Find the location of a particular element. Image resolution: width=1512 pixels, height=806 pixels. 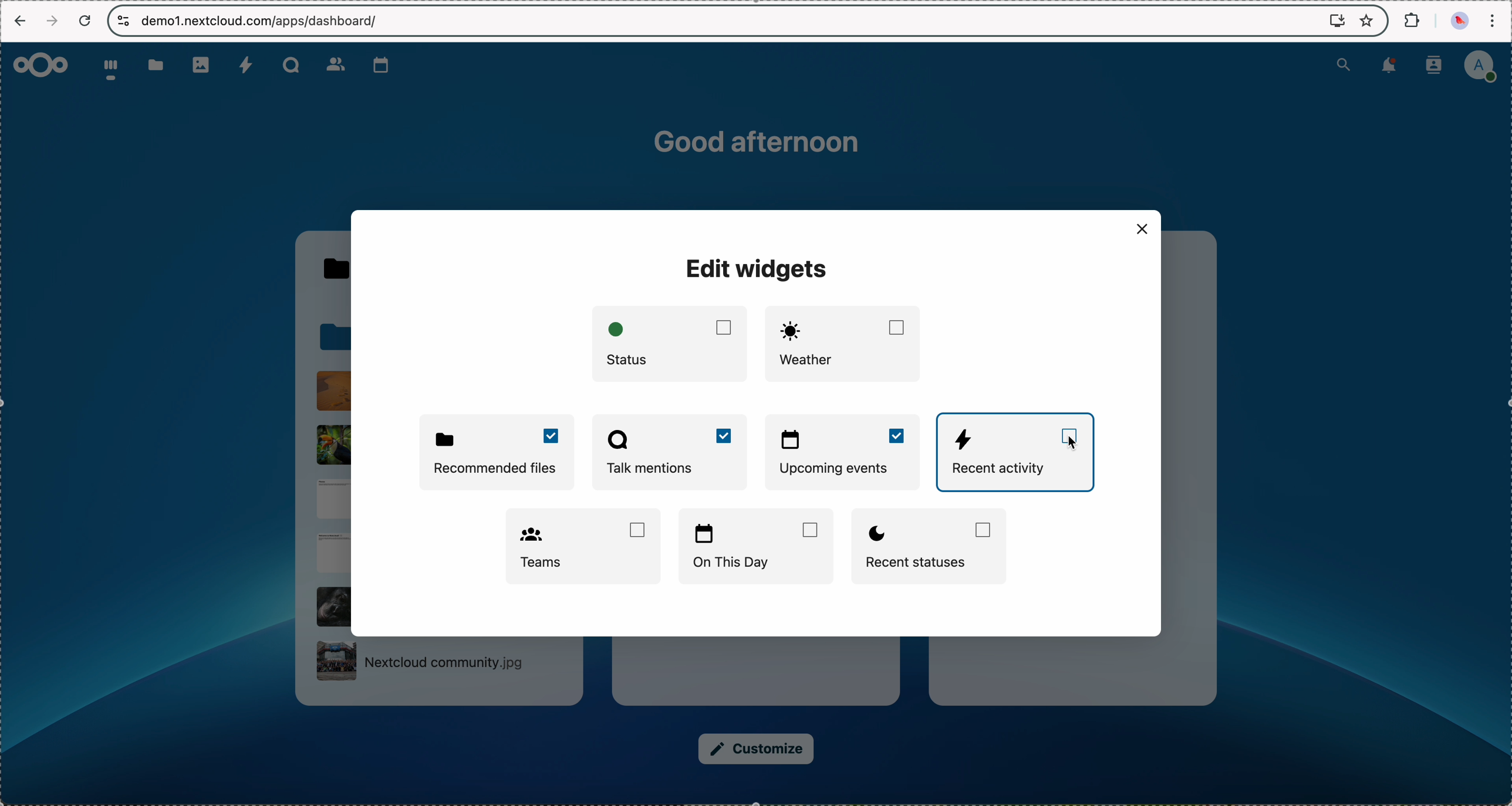

file is located at coordinates (329, 503).